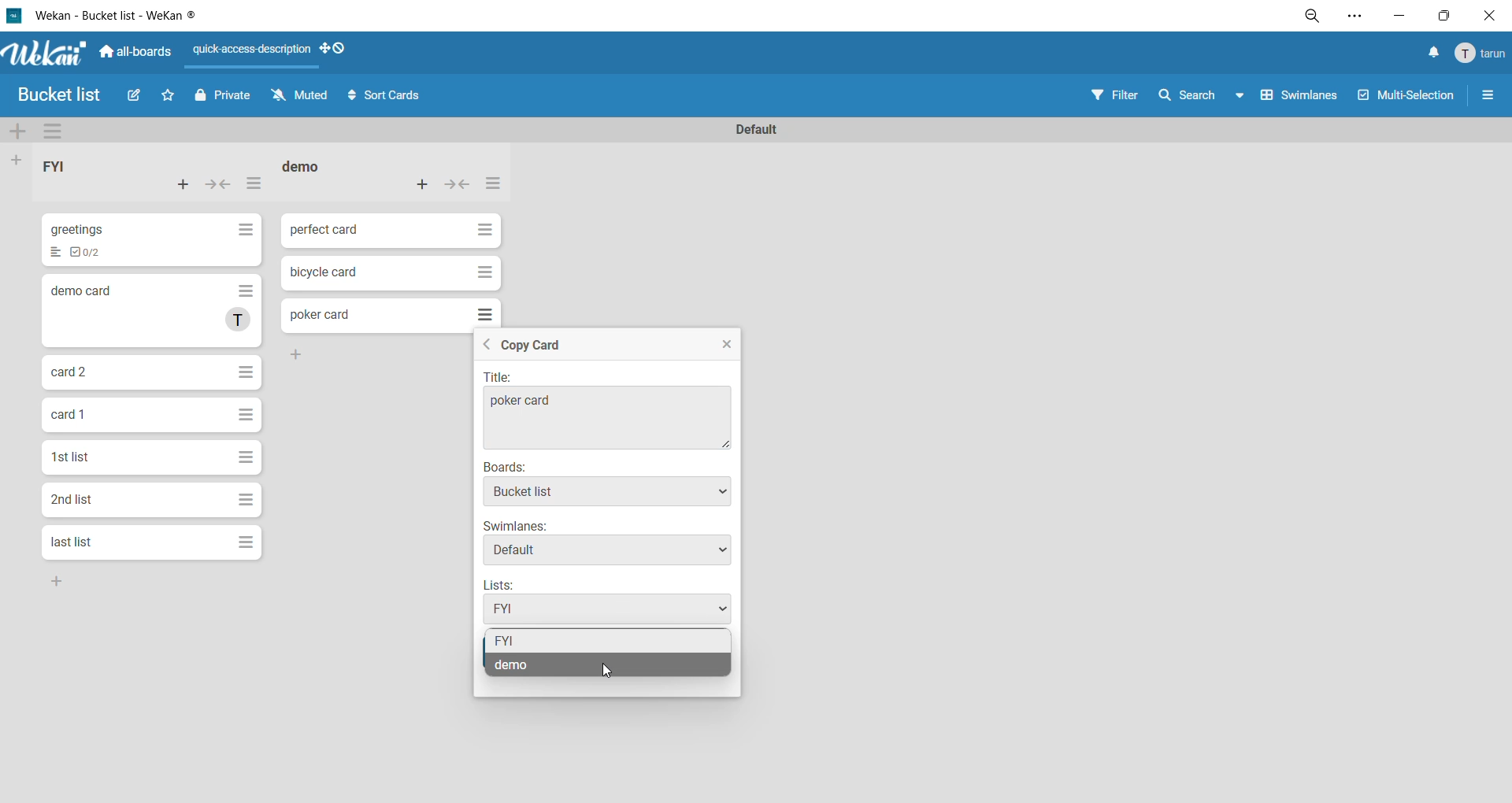 This screenshot has height=803, width=1512. What do you see at coordinates (20, 160) in the screenshot?
I see `add list` at bounding box center [20, 160].